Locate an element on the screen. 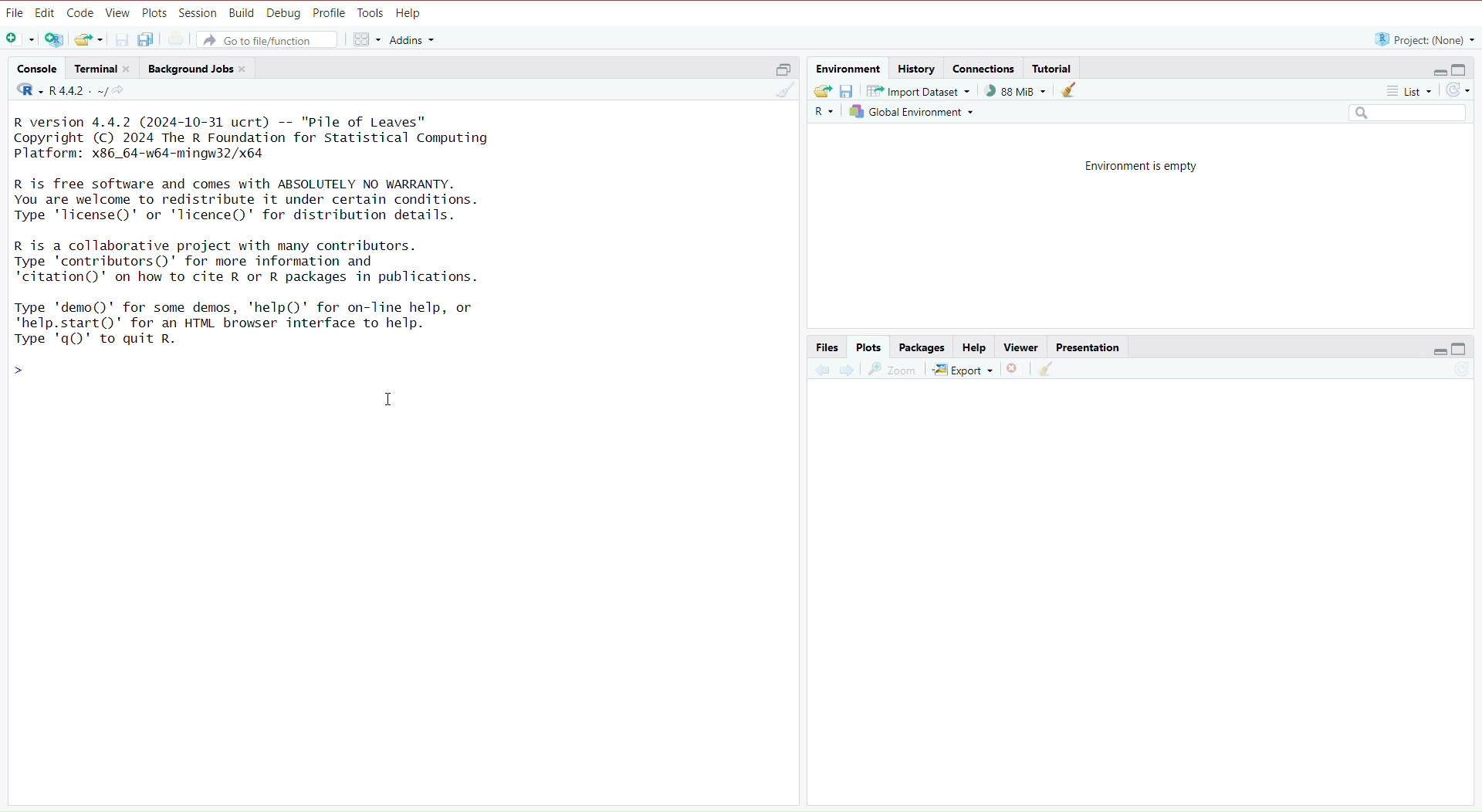 The image size is (1482, 812). open an existing file is located at coordinates (90, 39).